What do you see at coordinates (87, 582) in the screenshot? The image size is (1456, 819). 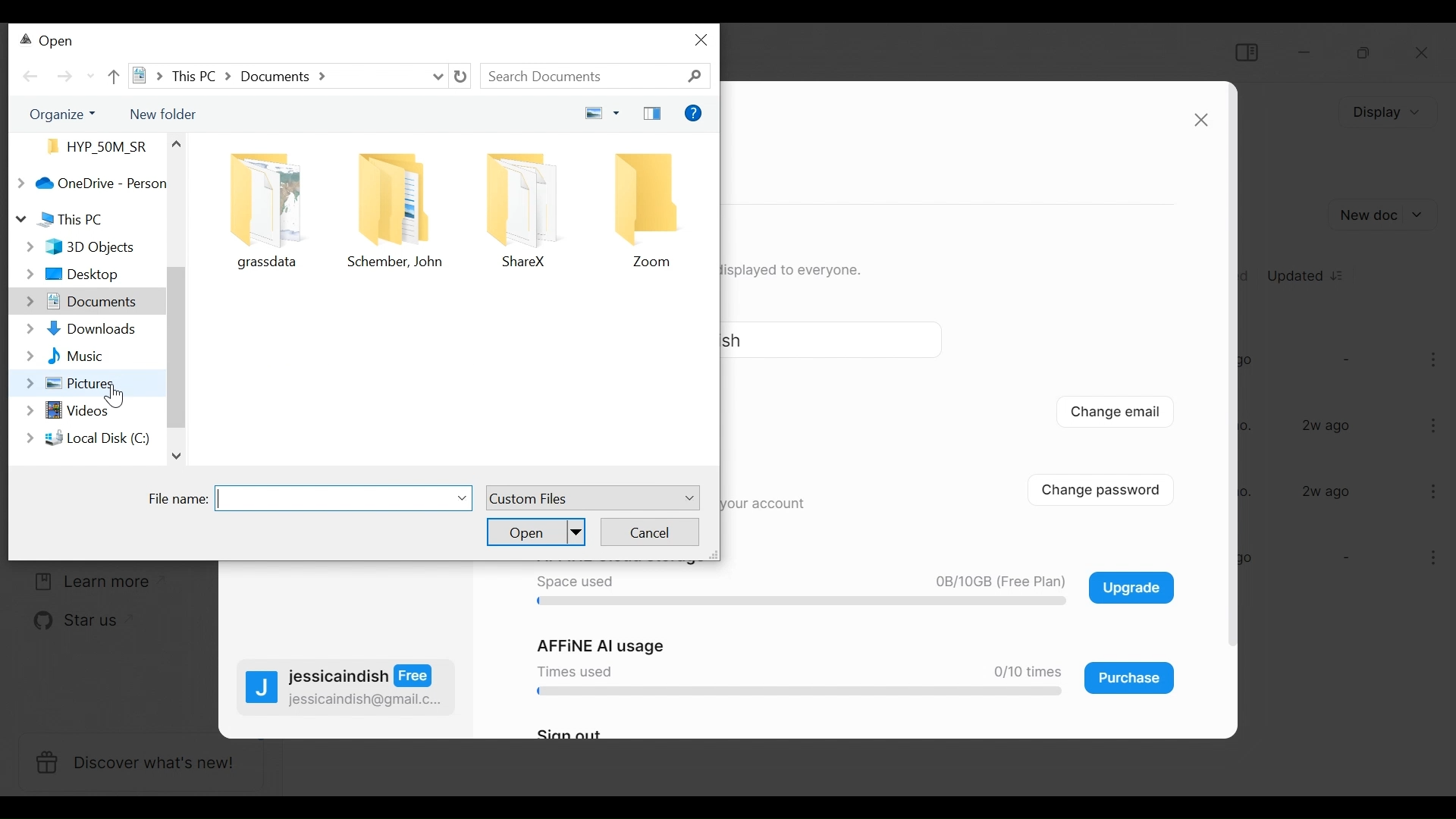 I see `Learn more` at bounding box center [87, 582].